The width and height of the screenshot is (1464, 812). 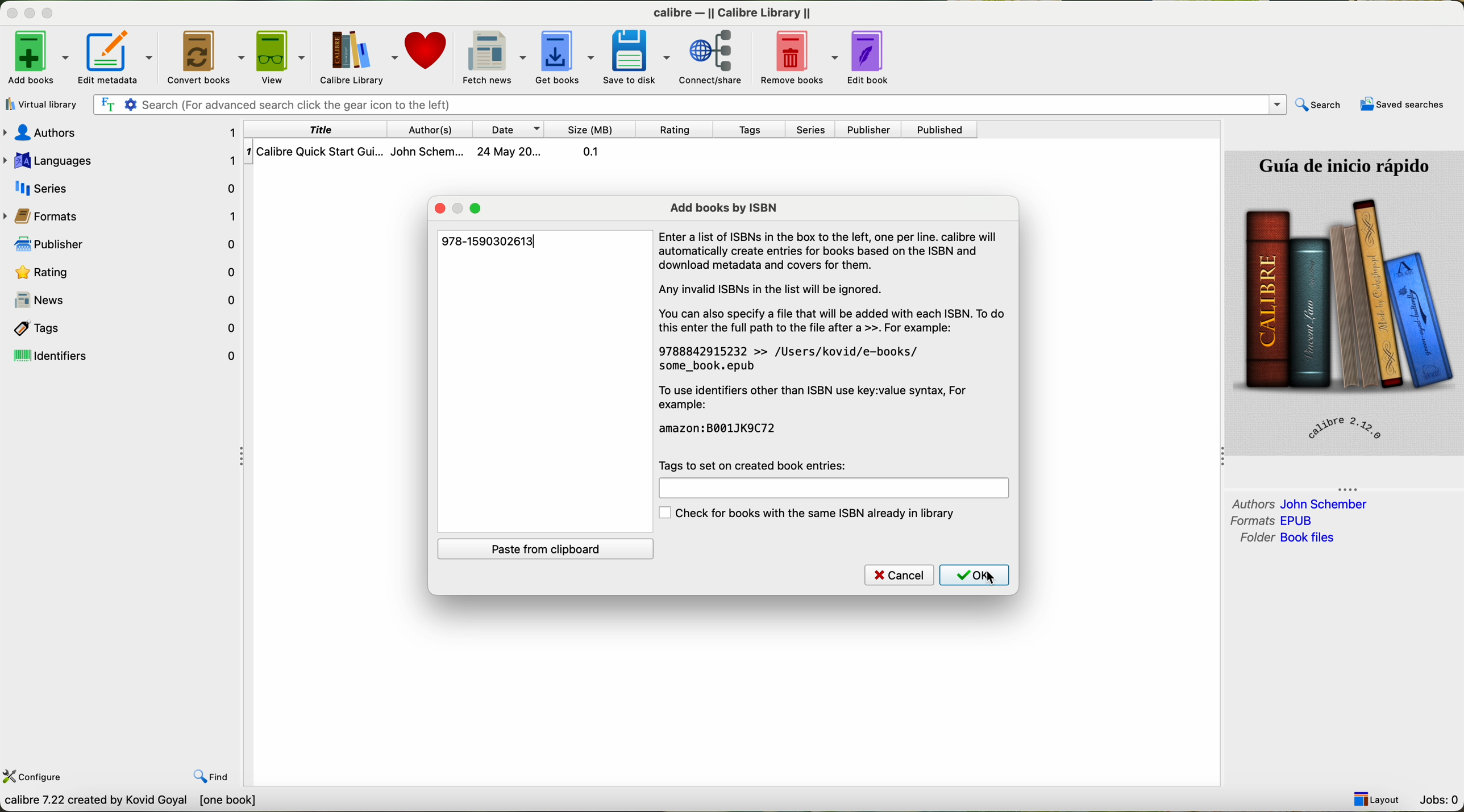 What do you see at coordinates (427, 50) in the screenshot?
I see `donate` at bounding box center [427, 50].